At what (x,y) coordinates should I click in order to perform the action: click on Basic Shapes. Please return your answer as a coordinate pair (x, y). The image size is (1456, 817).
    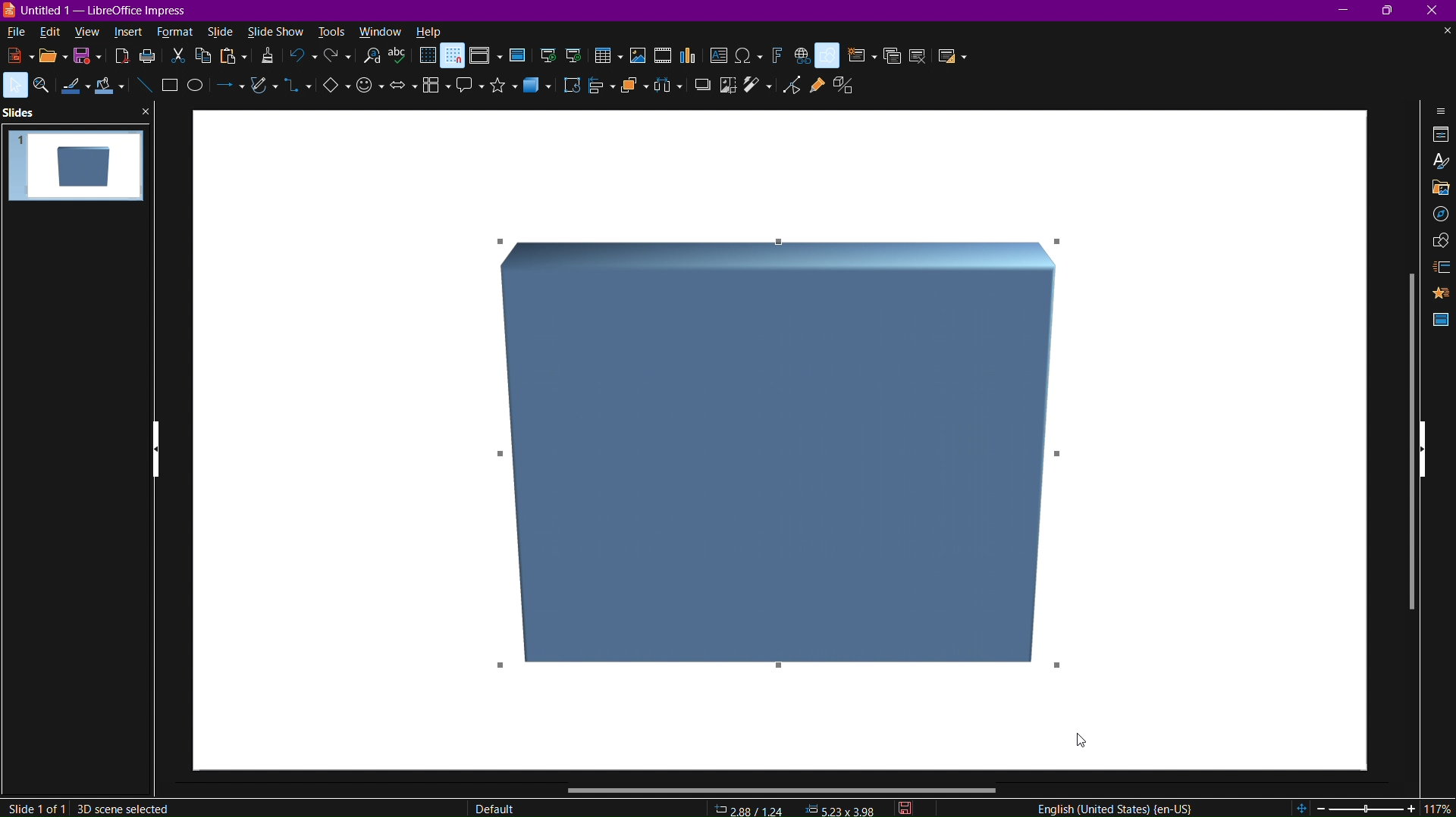
    Looking at the image, I should click on (330, 91).